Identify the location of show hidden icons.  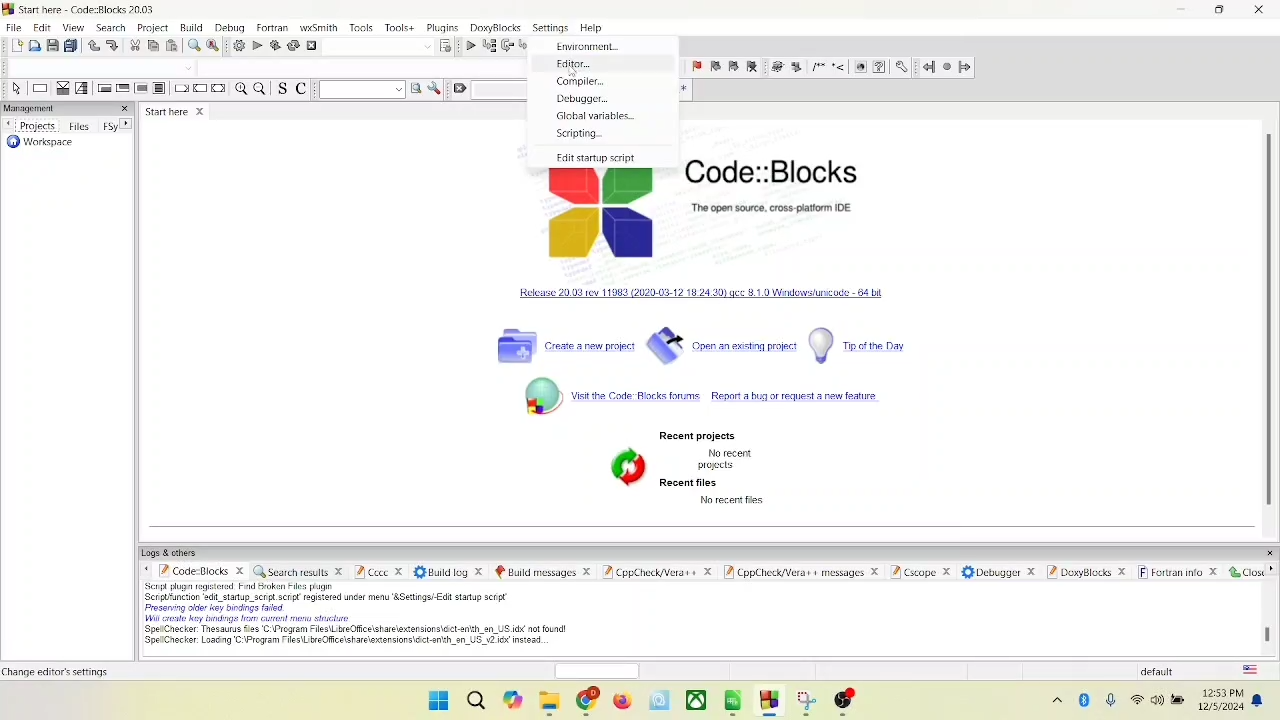
(1048, 703).